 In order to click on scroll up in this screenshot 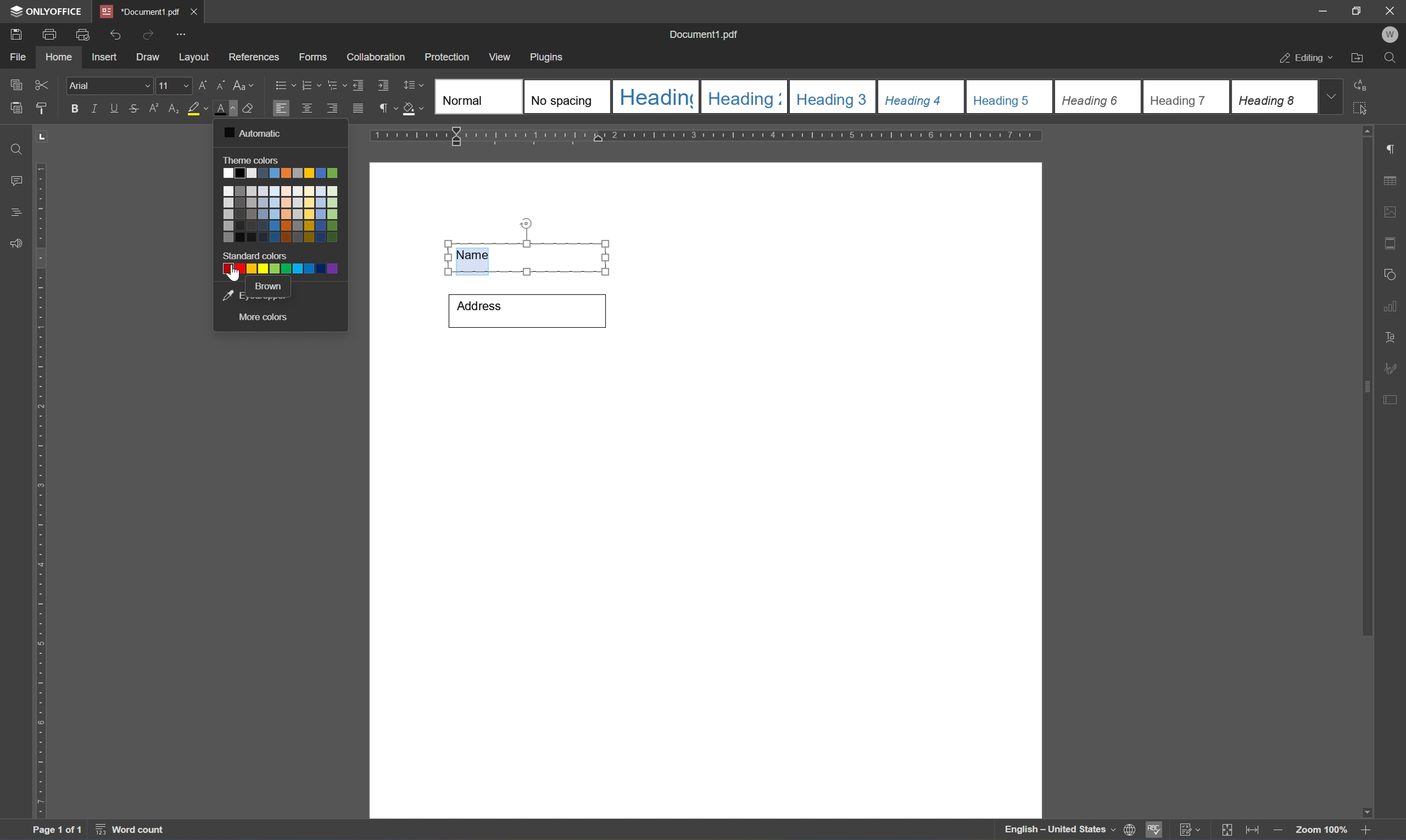, I will do `click(1373, 130)`.